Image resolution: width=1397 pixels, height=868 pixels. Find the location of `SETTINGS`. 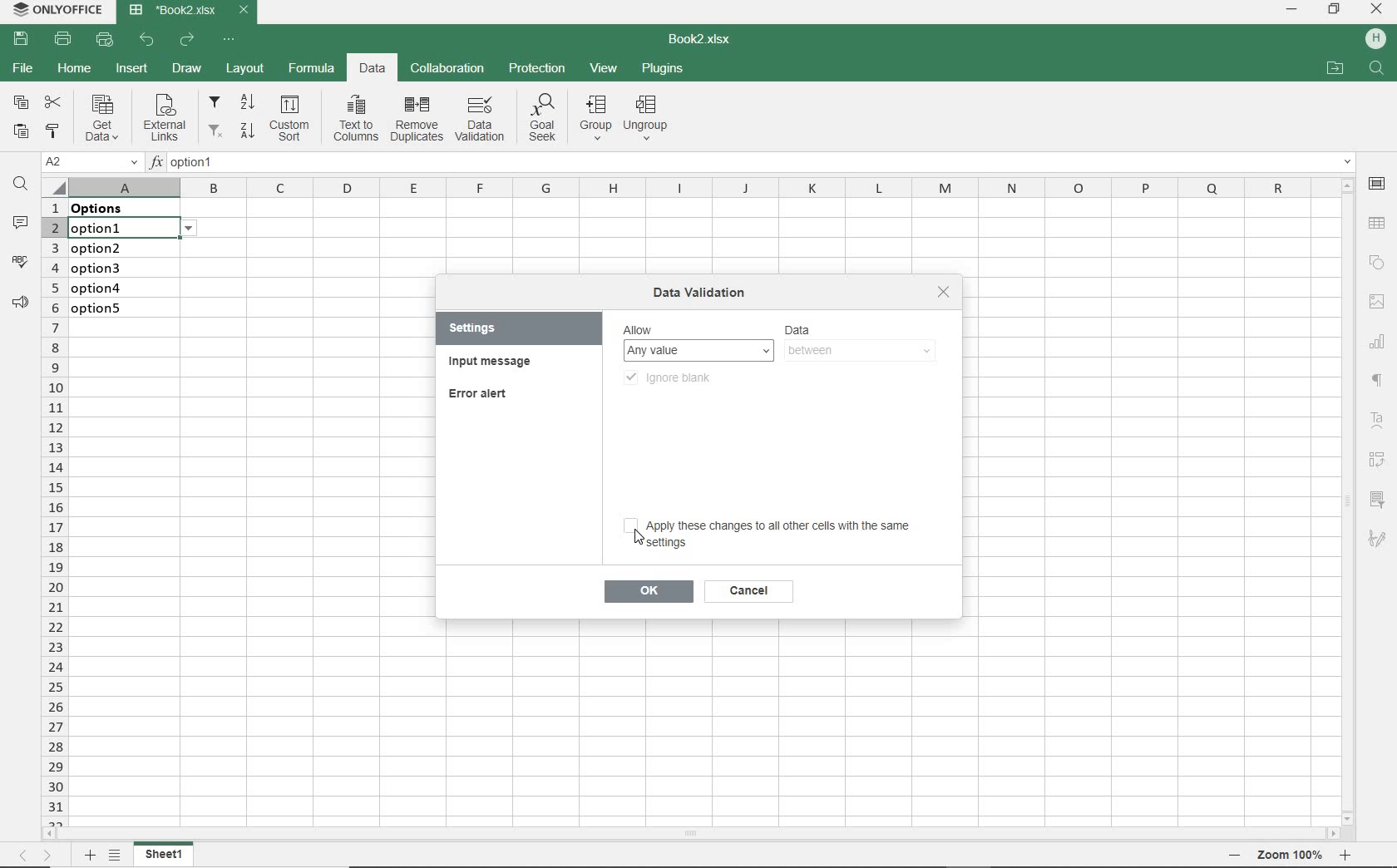

SETTINGS is located at coordinates (487, 328).